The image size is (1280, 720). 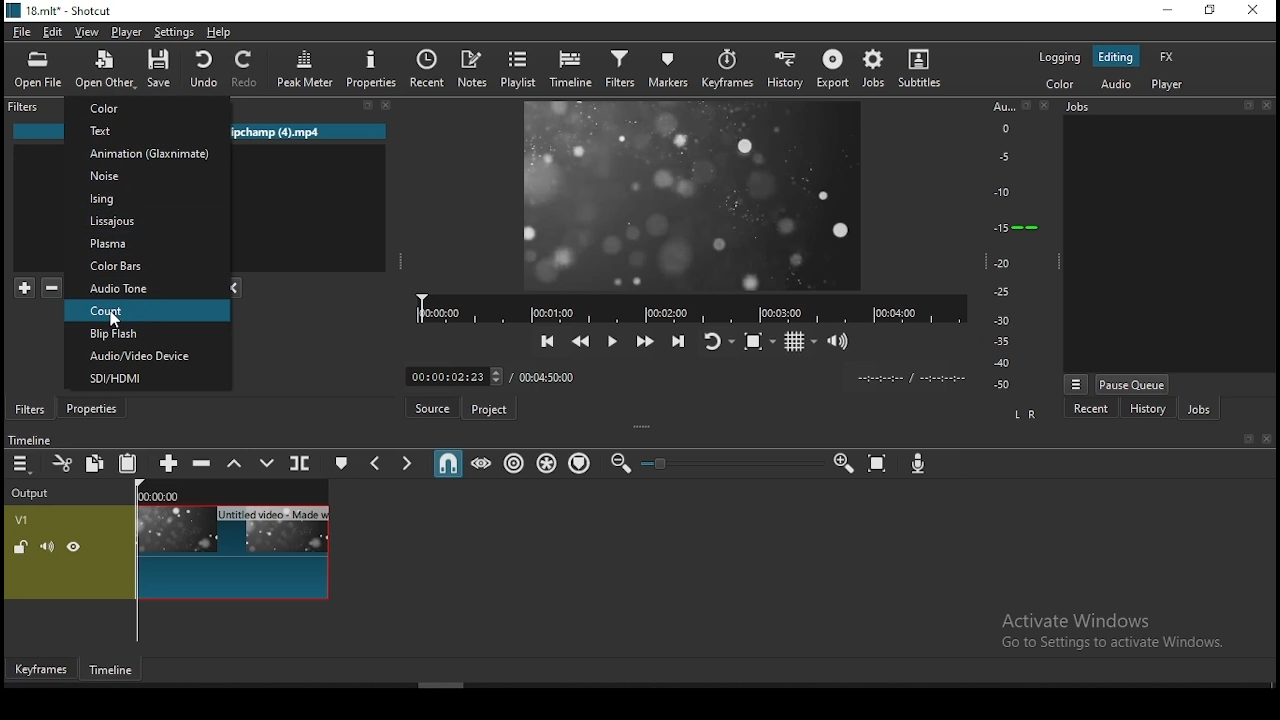 I want to click on scroll bar, so click(x=462, y=683).